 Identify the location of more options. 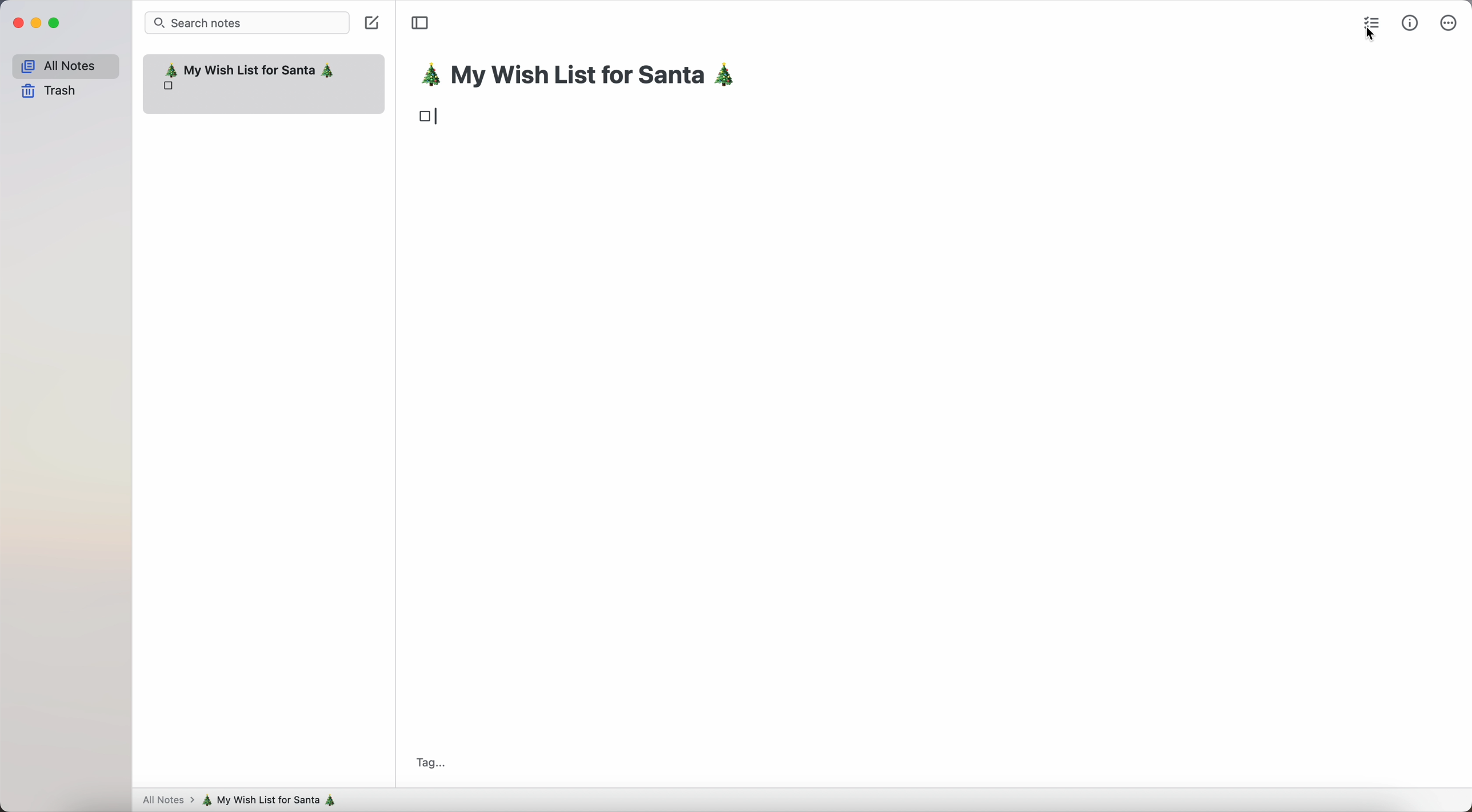
(1448, 22).